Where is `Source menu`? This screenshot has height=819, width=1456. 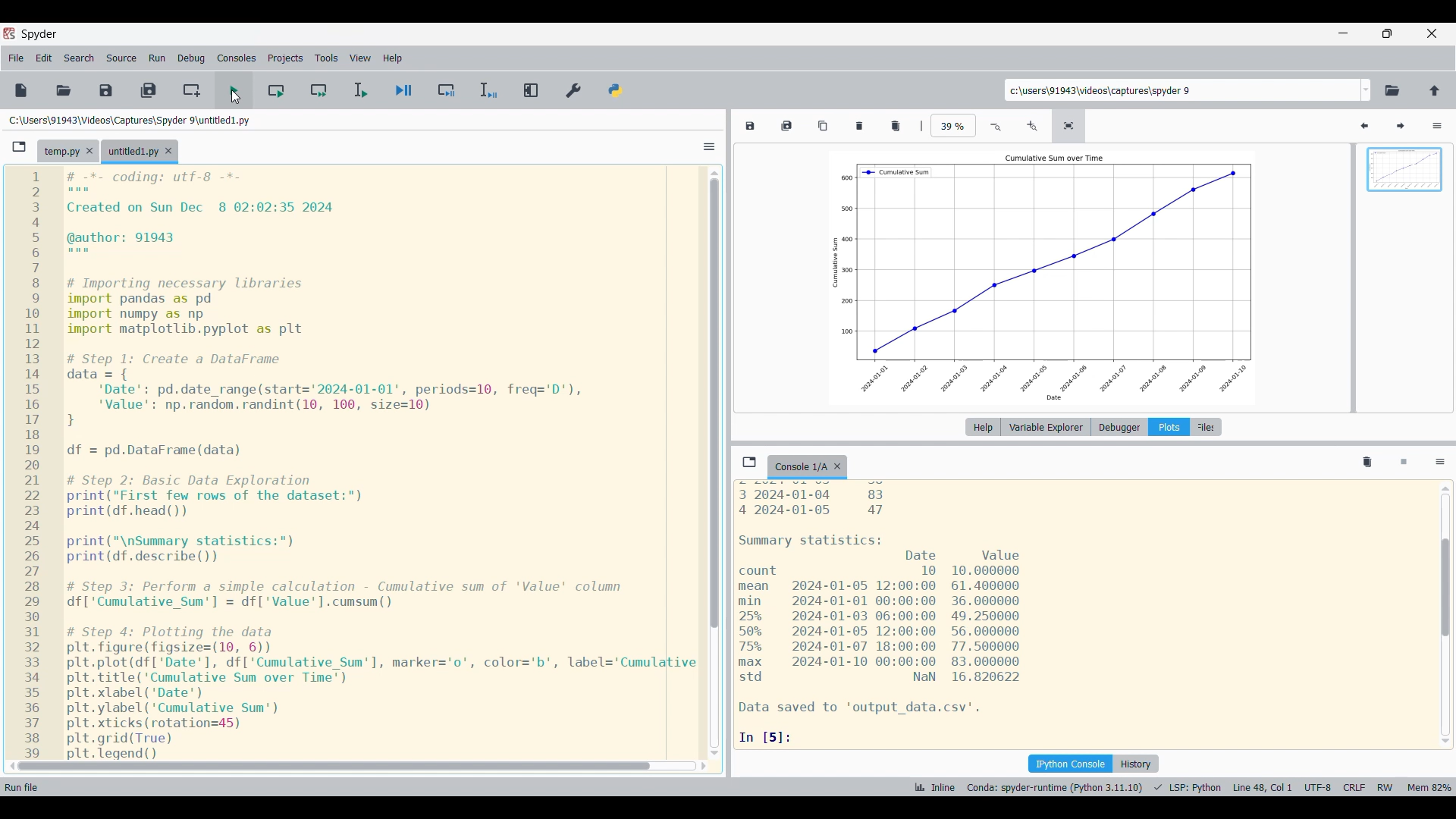
Source menu is located at coordinates (121, 58).